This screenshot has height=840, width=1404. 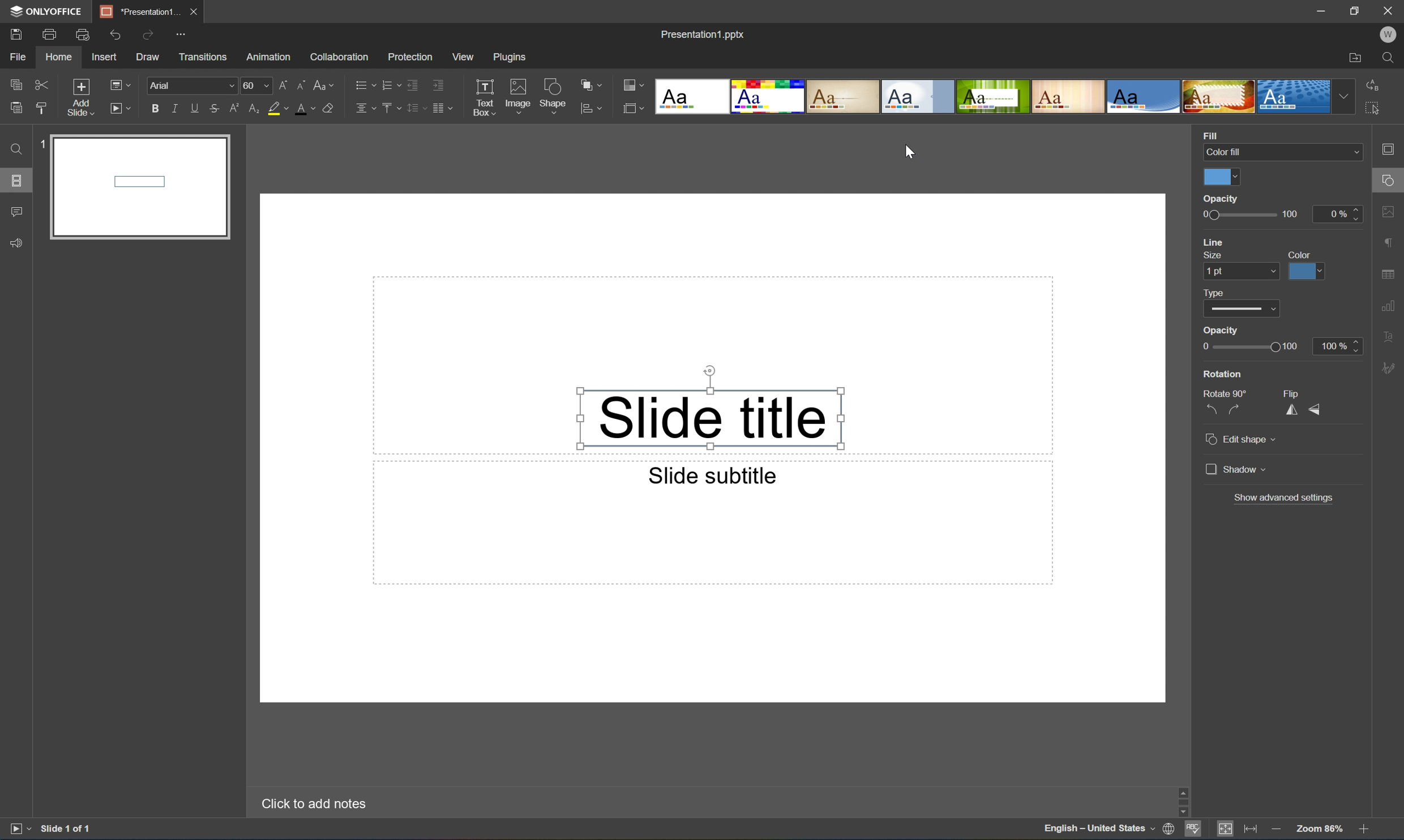 I want to click on 0%, so click(x=1338, y=214).